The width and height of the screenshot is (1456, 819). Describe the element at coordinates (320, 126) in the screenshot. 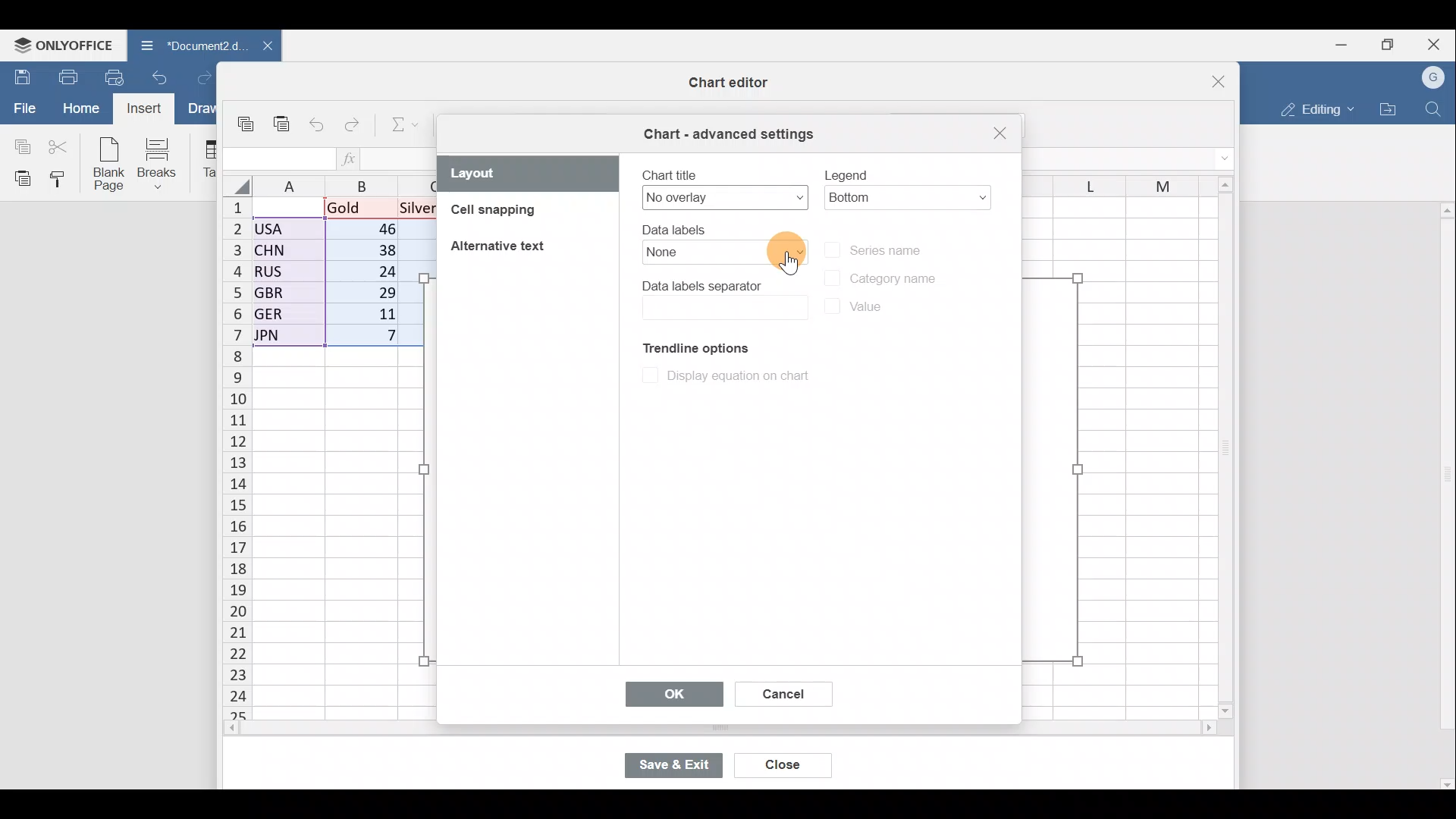

I see `Undo` at that location.